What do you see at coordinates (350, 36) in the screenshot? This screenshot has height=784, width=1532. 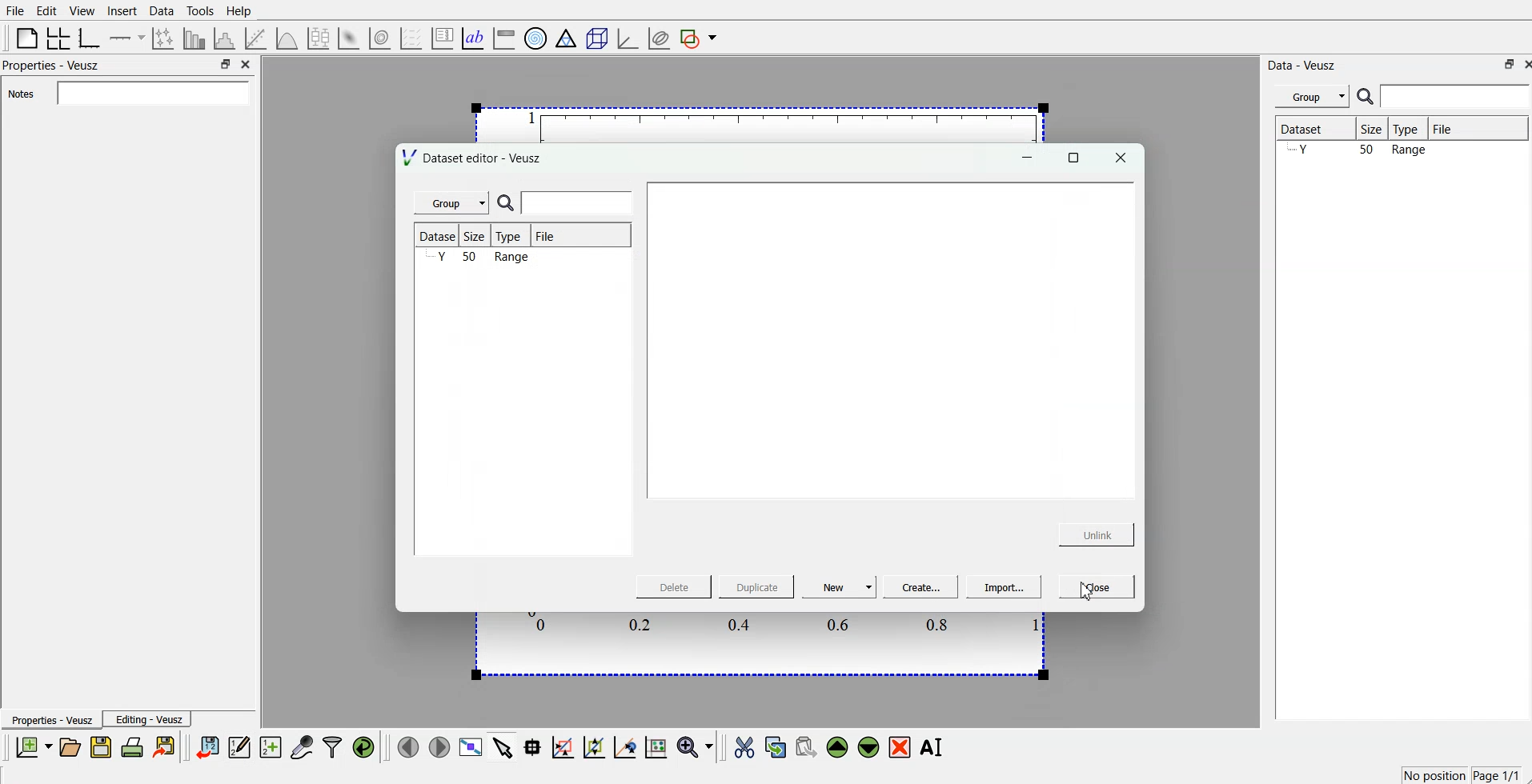 I see `plot 2d datasets as image` at bounding box center [350, 36].